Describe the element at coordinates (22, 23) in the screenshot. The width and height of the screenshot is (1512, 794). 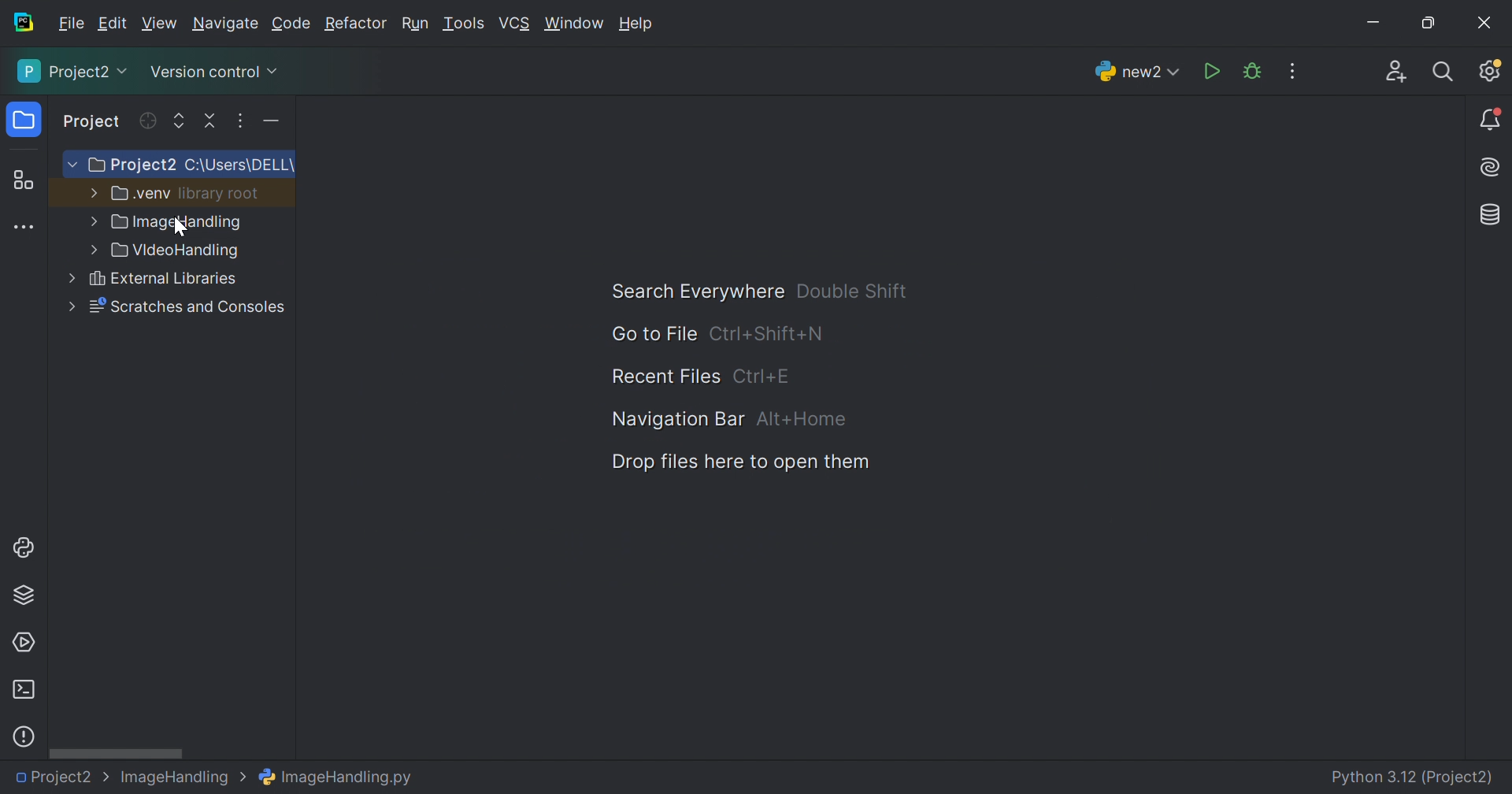
I see `PyCharm icon` at that location.